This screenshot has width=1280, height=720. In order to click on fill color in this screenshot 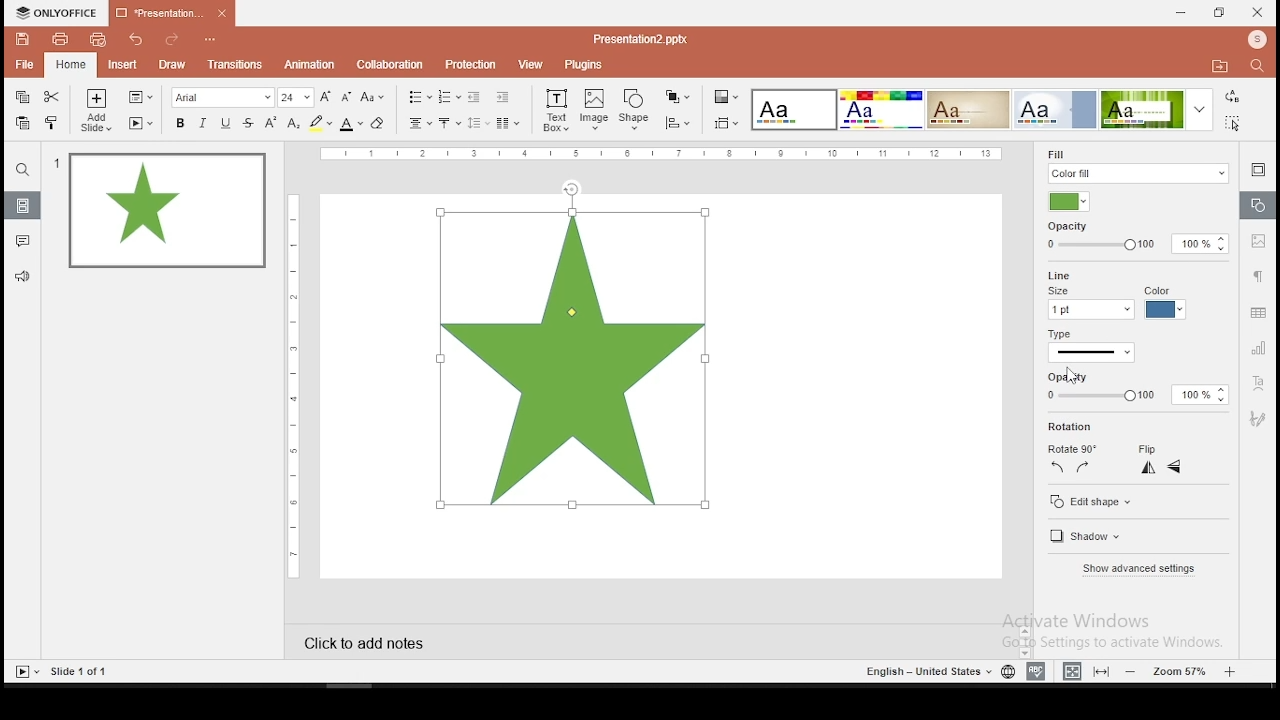, I will do `click(1069, 201)`.